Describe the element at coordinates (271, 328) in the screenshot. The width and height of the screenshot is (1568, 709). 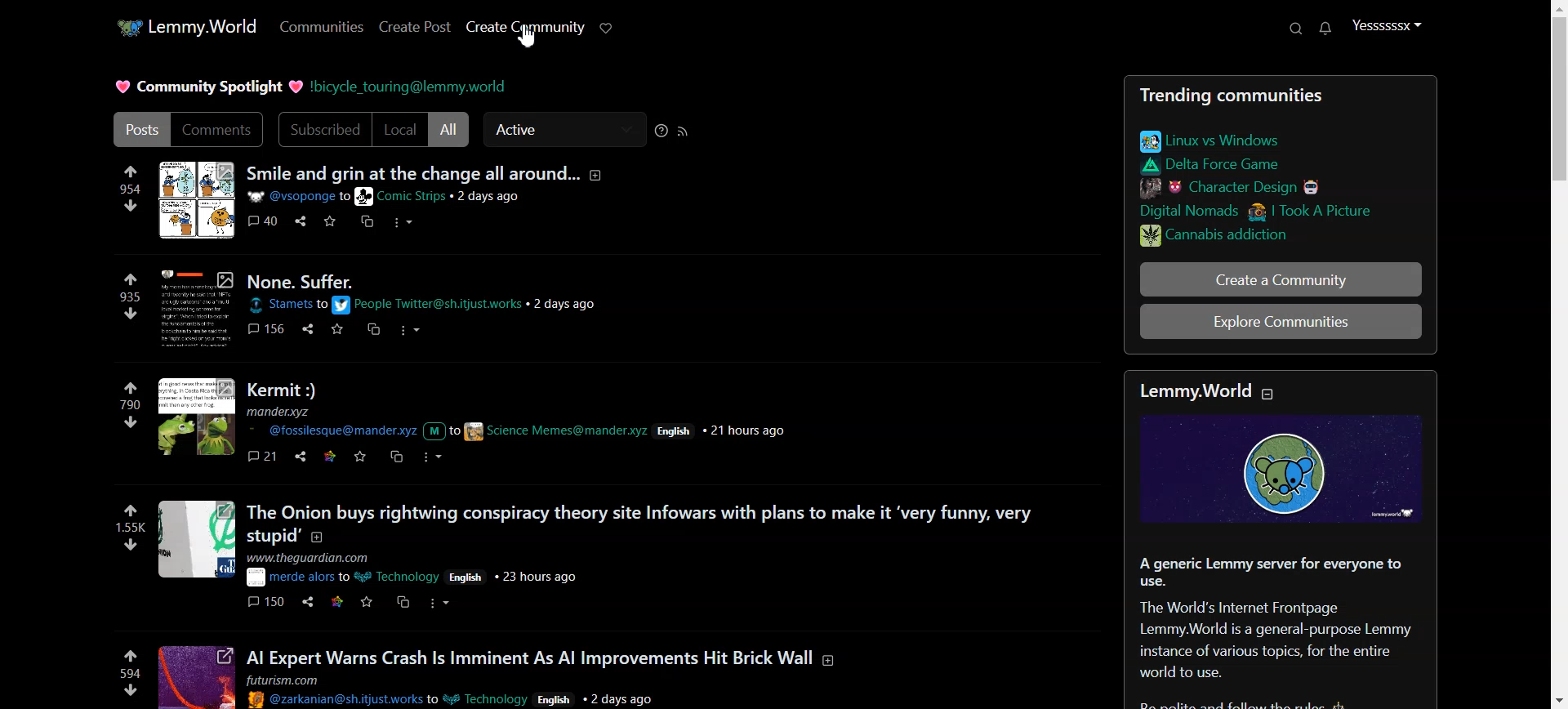
I see `comments` at that location.